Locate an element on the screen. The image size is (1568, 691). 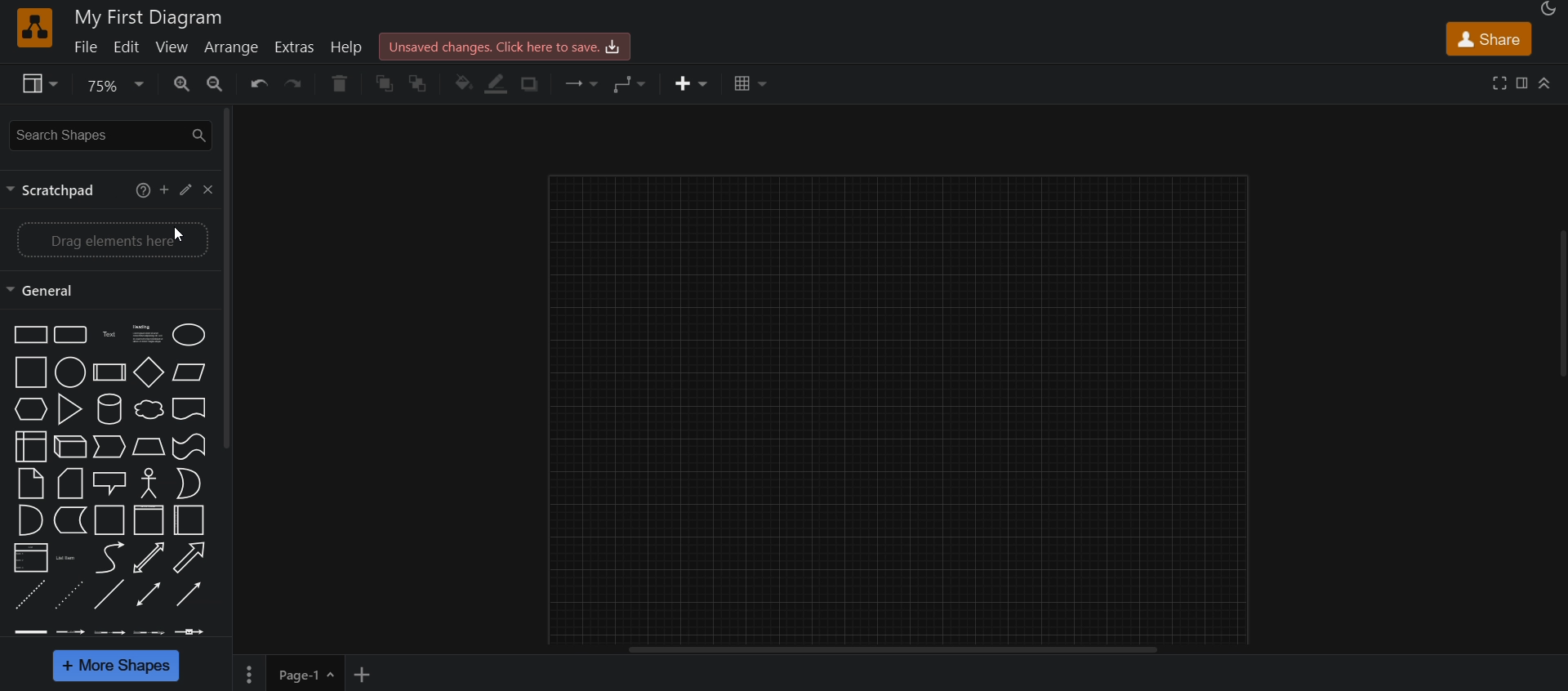
click here to save is located at coordinates (508, 46).